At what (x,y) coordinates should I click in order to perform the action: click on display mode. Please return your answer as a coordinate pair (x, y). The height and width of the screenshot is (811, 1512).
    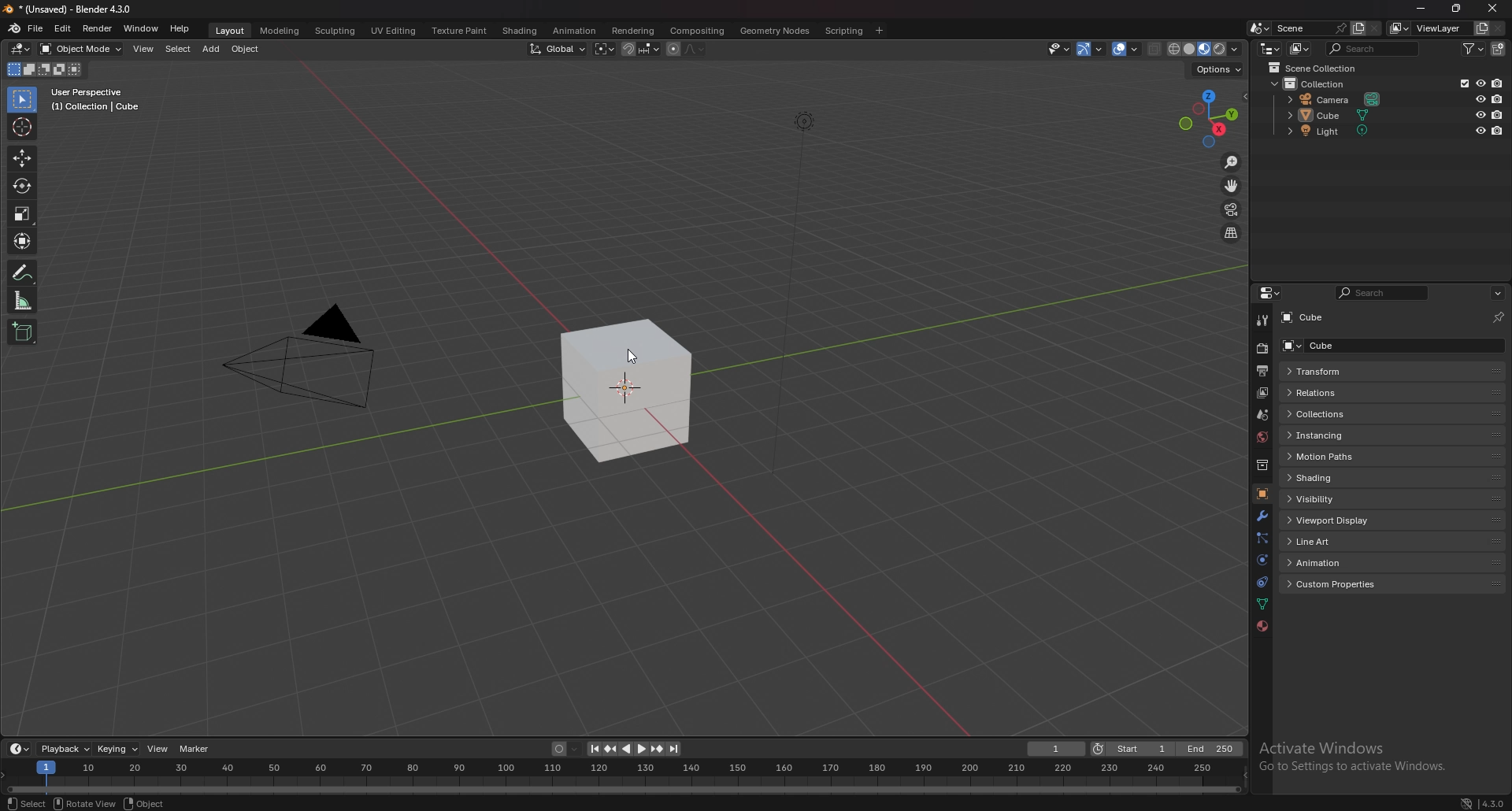
    Looking at the image, I should click on (1299, 48).